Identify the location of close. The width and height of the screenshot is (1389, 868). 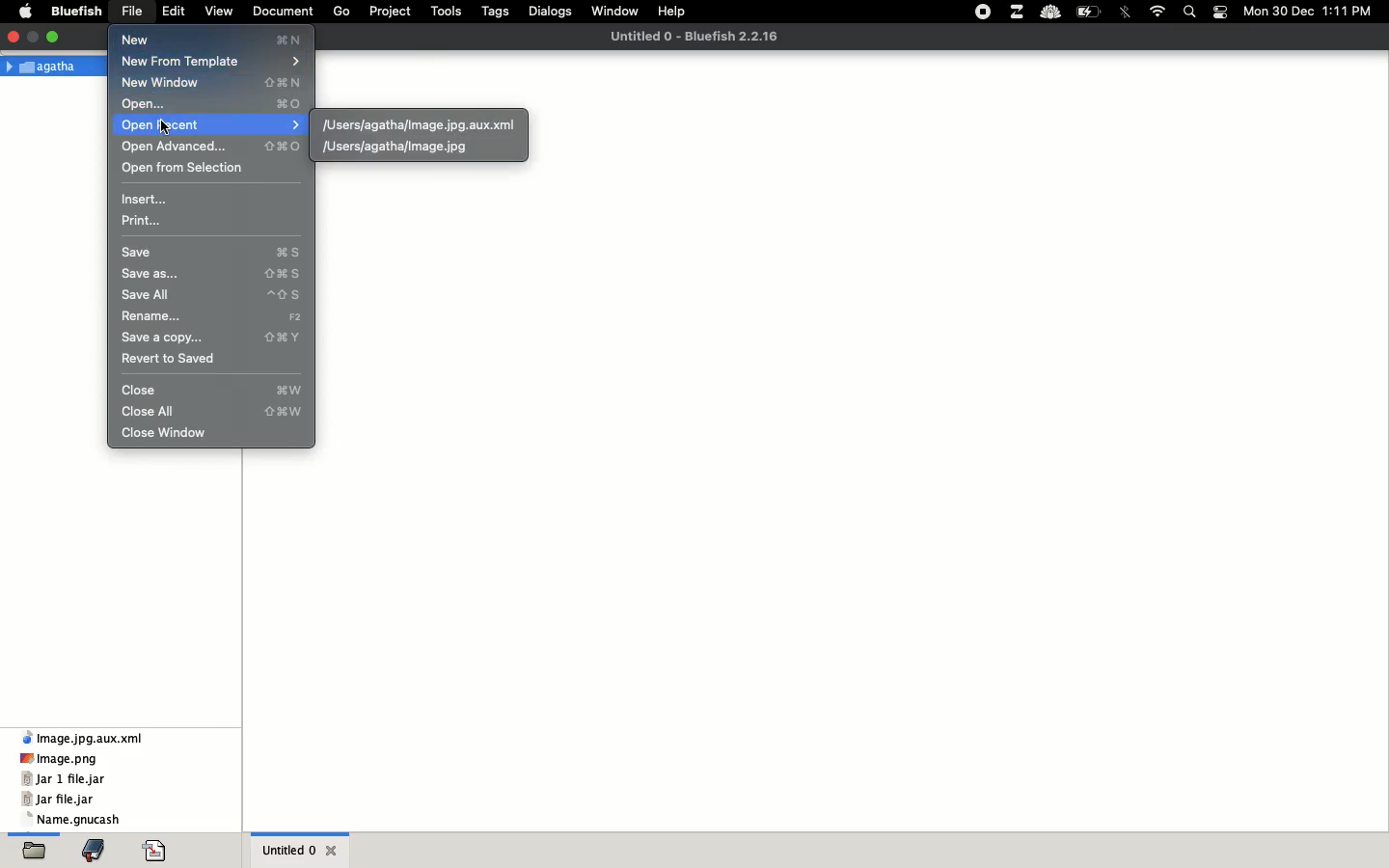
(337, 849).